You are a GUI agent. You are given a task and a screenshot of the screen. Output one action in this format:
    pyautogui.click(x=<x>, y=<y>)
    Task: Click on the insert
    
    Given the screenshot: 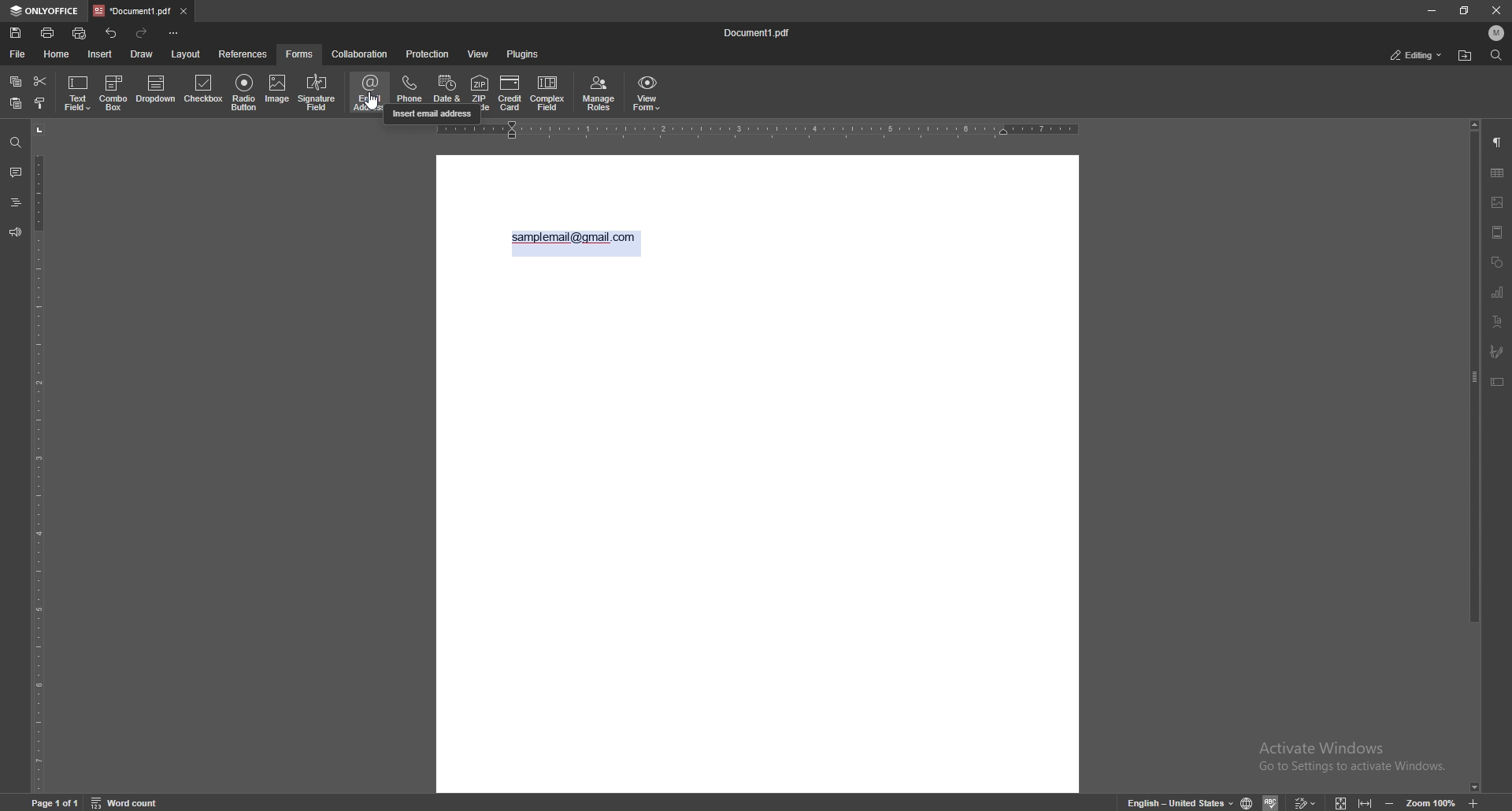 What is the action you would take?
    pyautogui.click(x=99, y=54)
    